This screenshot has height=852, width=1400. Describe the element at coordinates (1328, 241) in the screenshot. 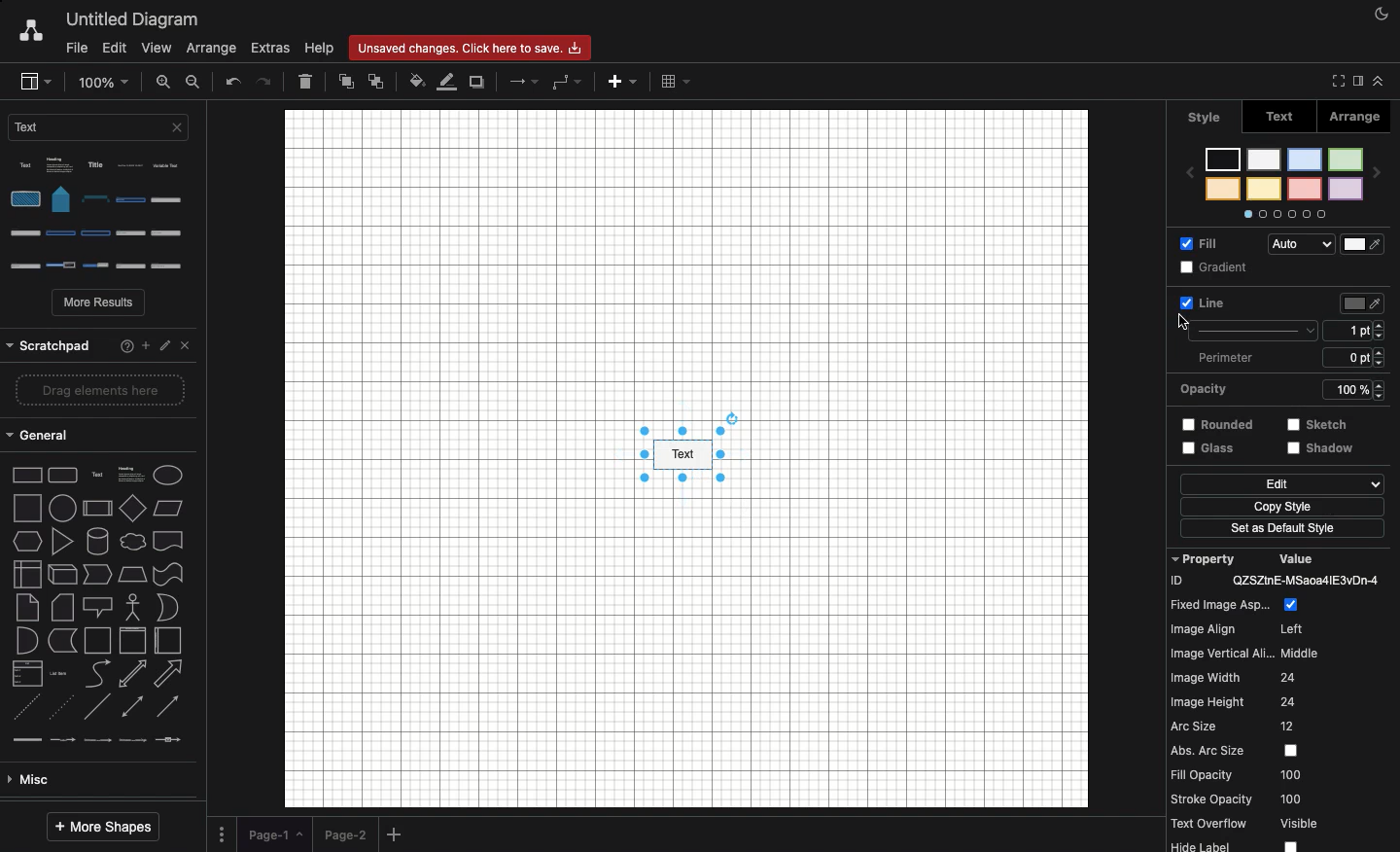

I see `Audio` at that location.